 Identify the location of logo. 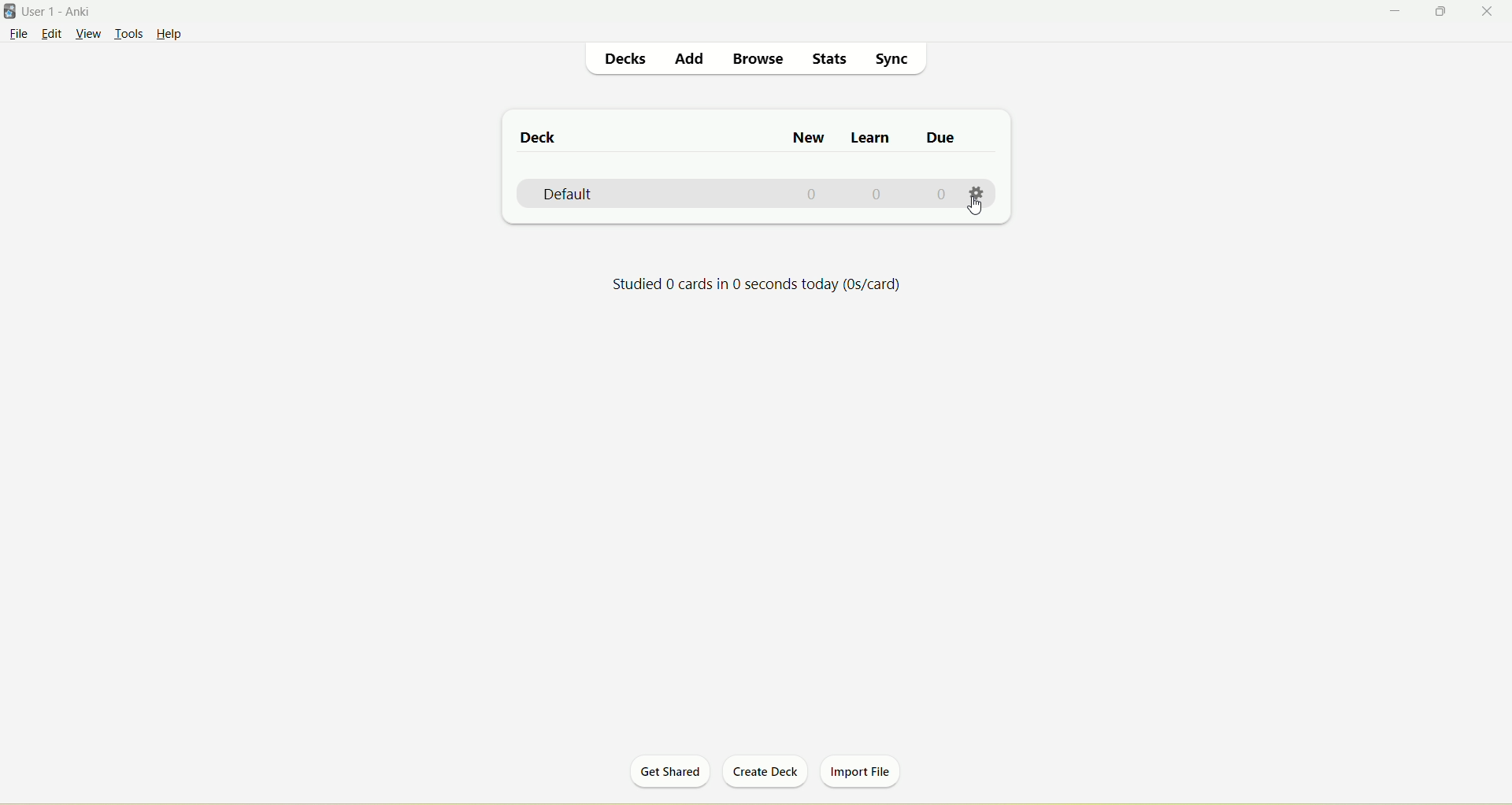
(10, 12).